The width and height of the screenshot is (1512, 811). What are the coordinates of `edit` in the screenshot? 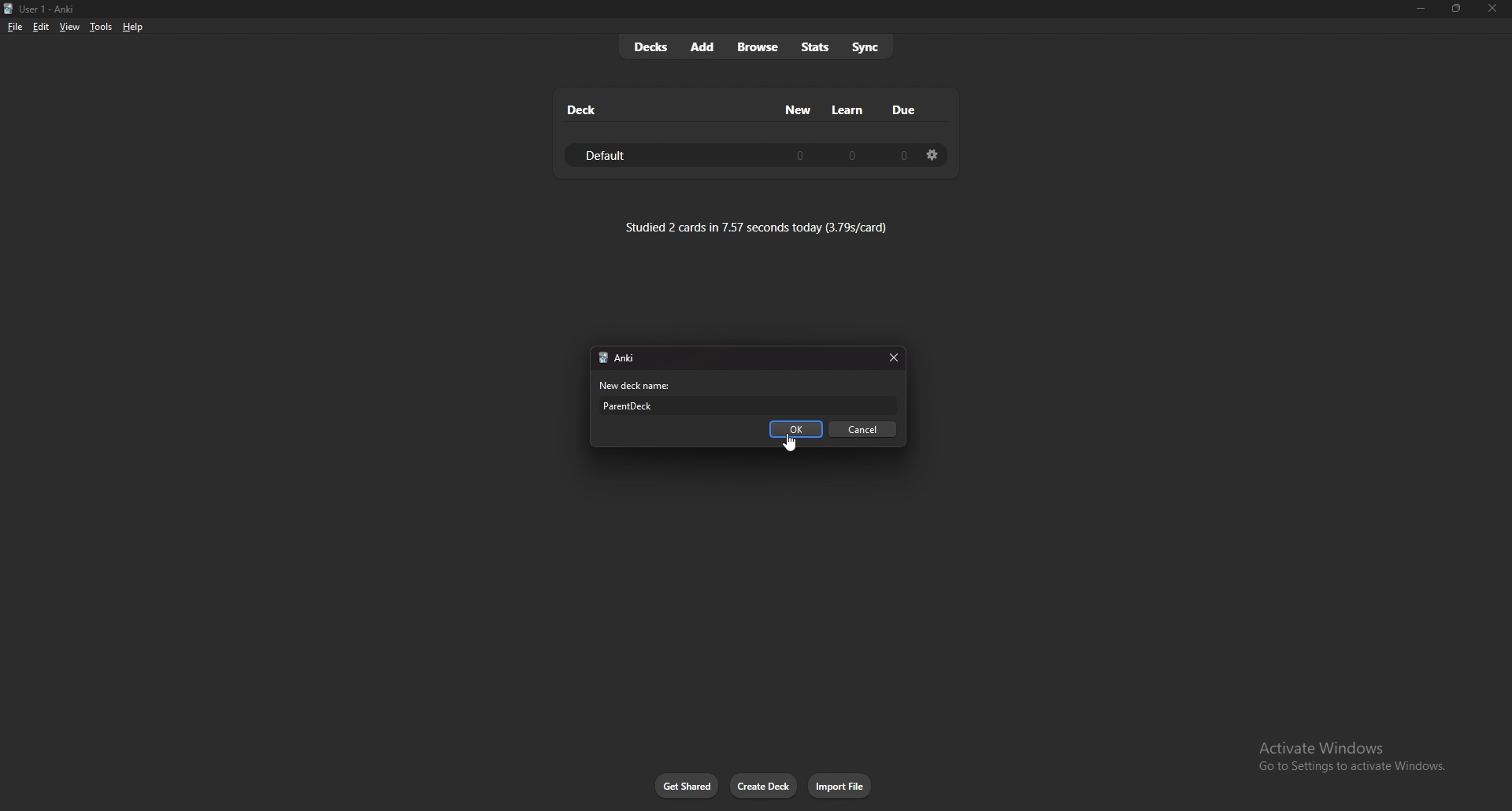 It's located at (39, 28).